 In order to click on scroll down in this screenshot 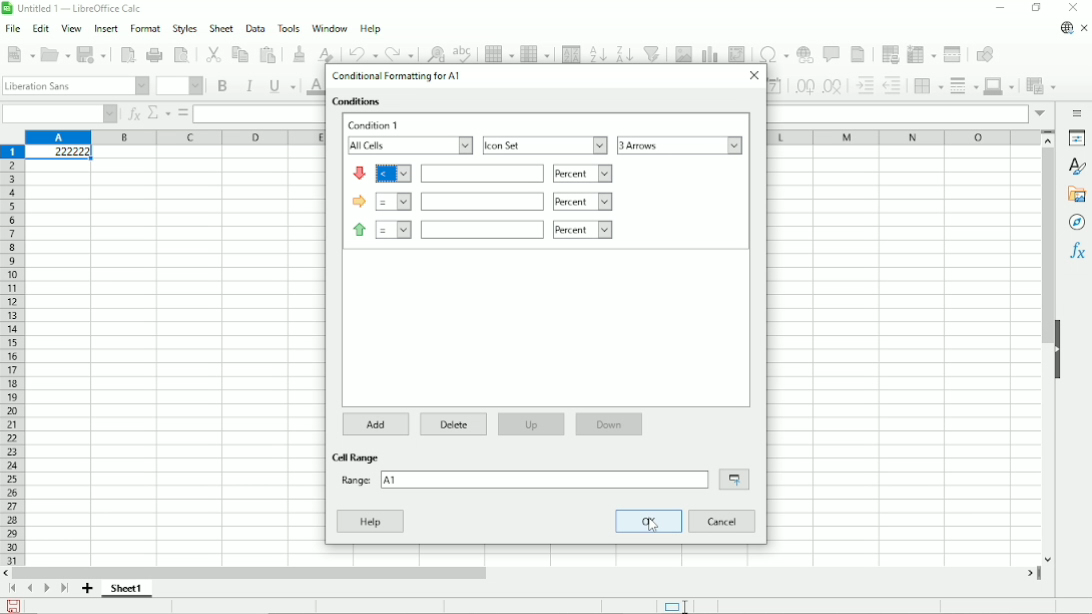, I will do `click(1048, 559)`.